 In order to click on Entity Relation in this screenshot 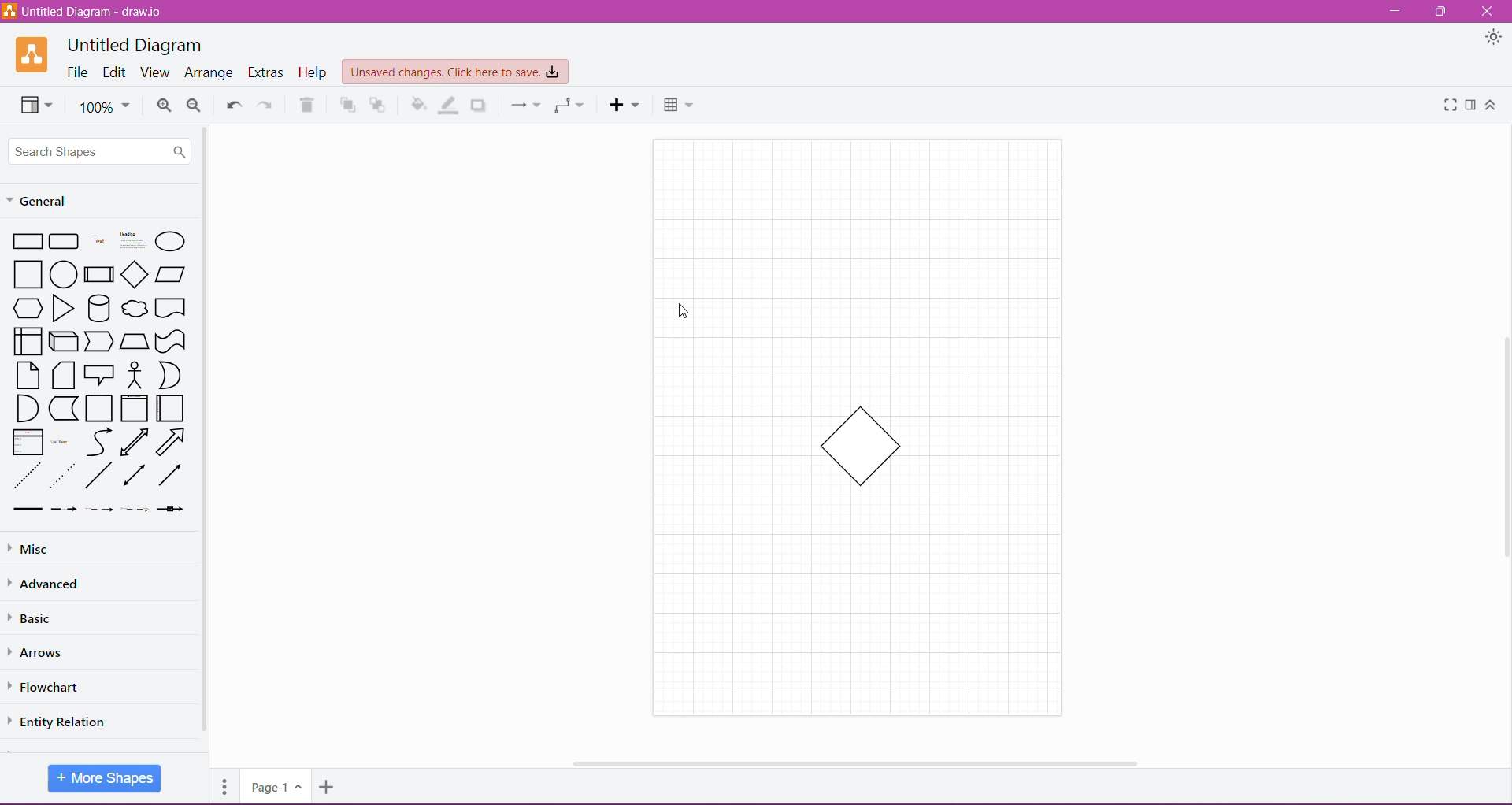, I will do `click(66, 722)`.